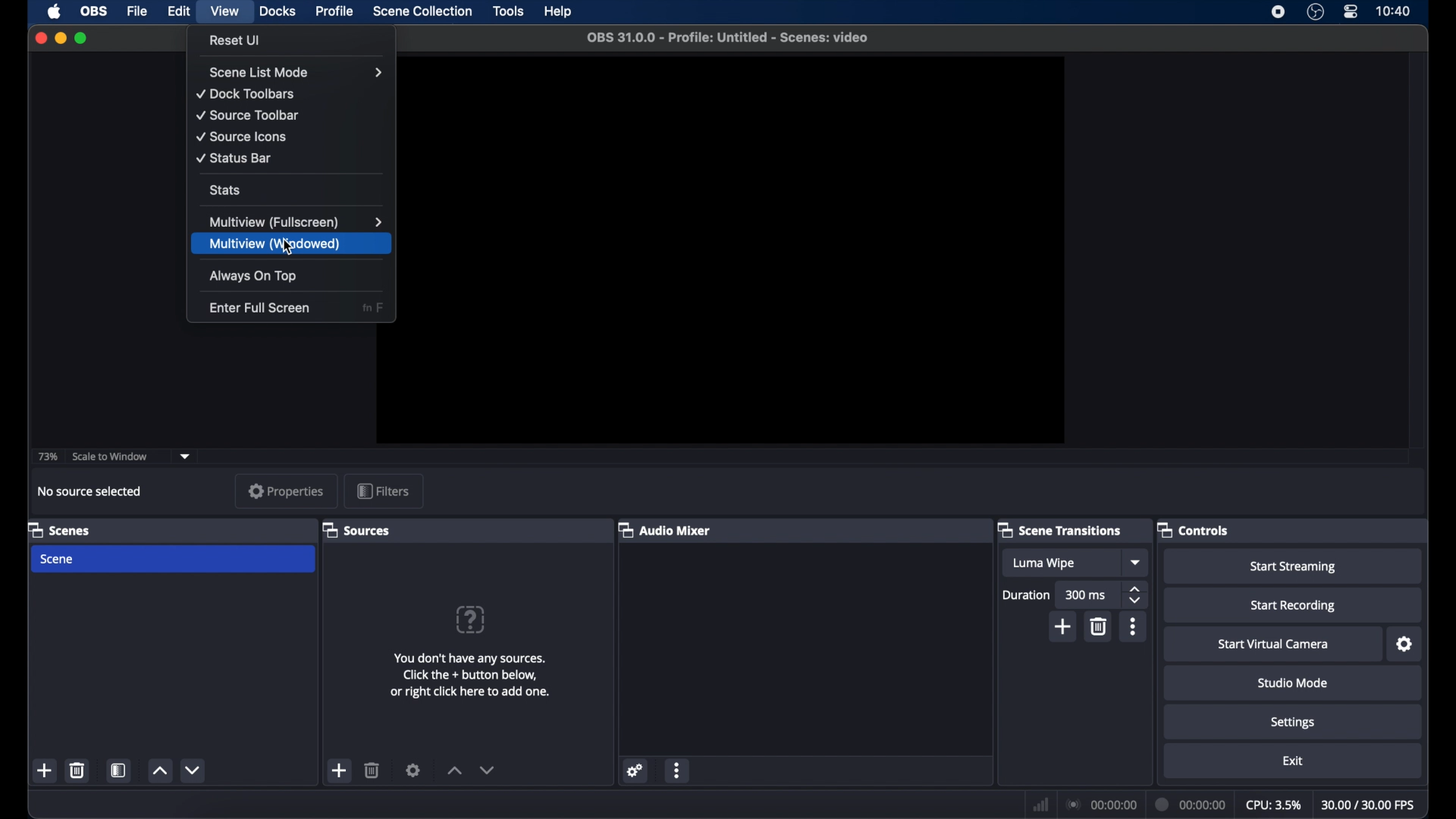 This screenshot has width=1456, height=819. I want to click on decrement, so click(487, 770).